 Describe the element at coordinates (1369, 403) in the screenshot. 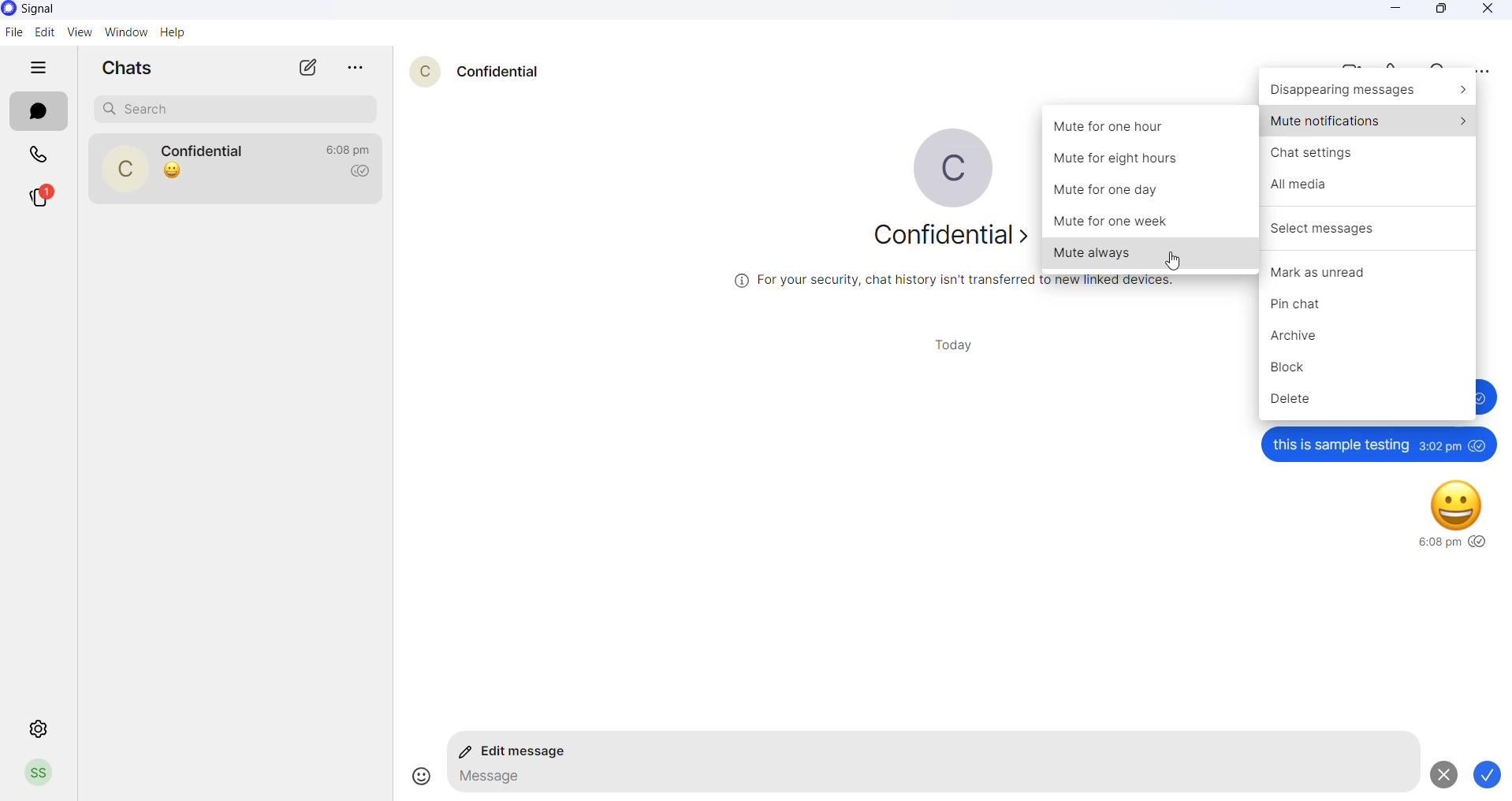

I see `delete` at that location.